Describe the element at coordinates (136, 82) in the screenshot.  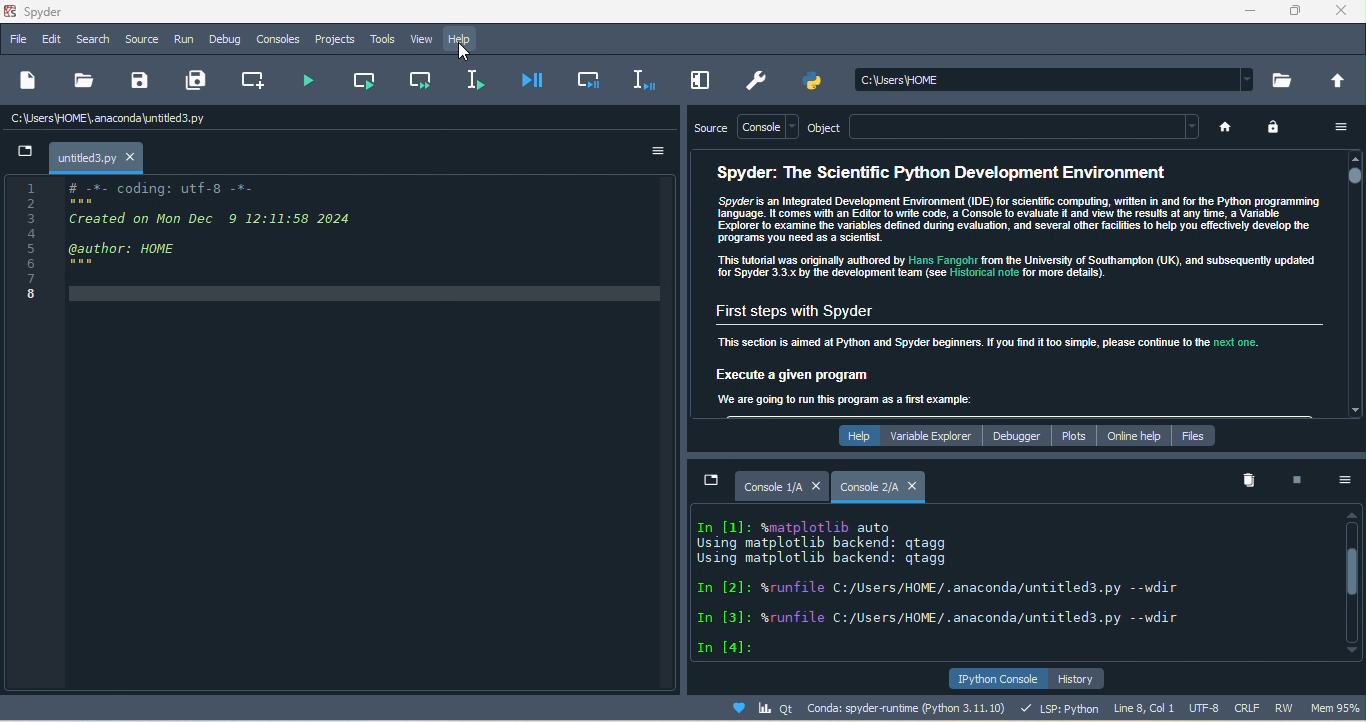
I see `save` at that location.